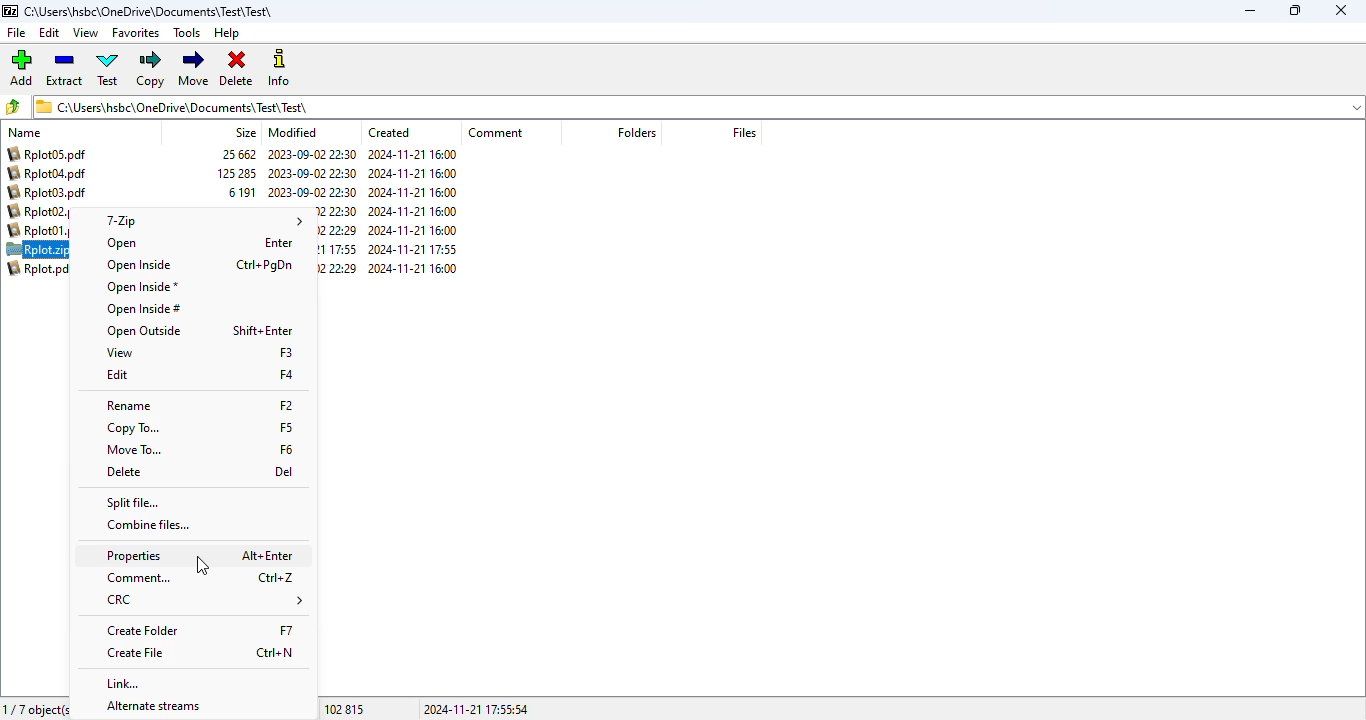 This screenshot has width=1366, height=720. Describe the element at coordinates (136, 265) in the screenshot. I see `open inside` at that location.